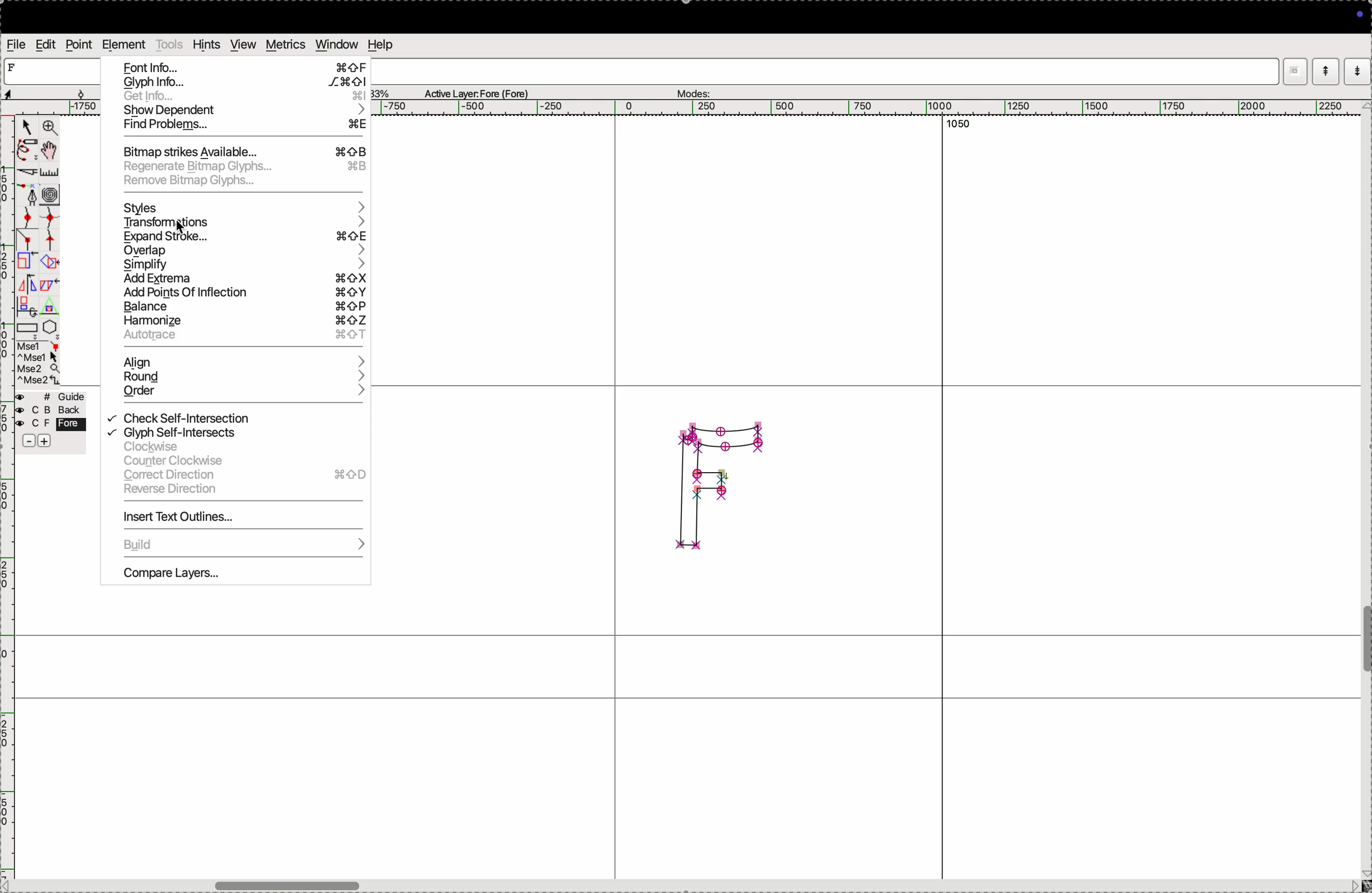  I want to click on reverse direction, so click(241, 491).